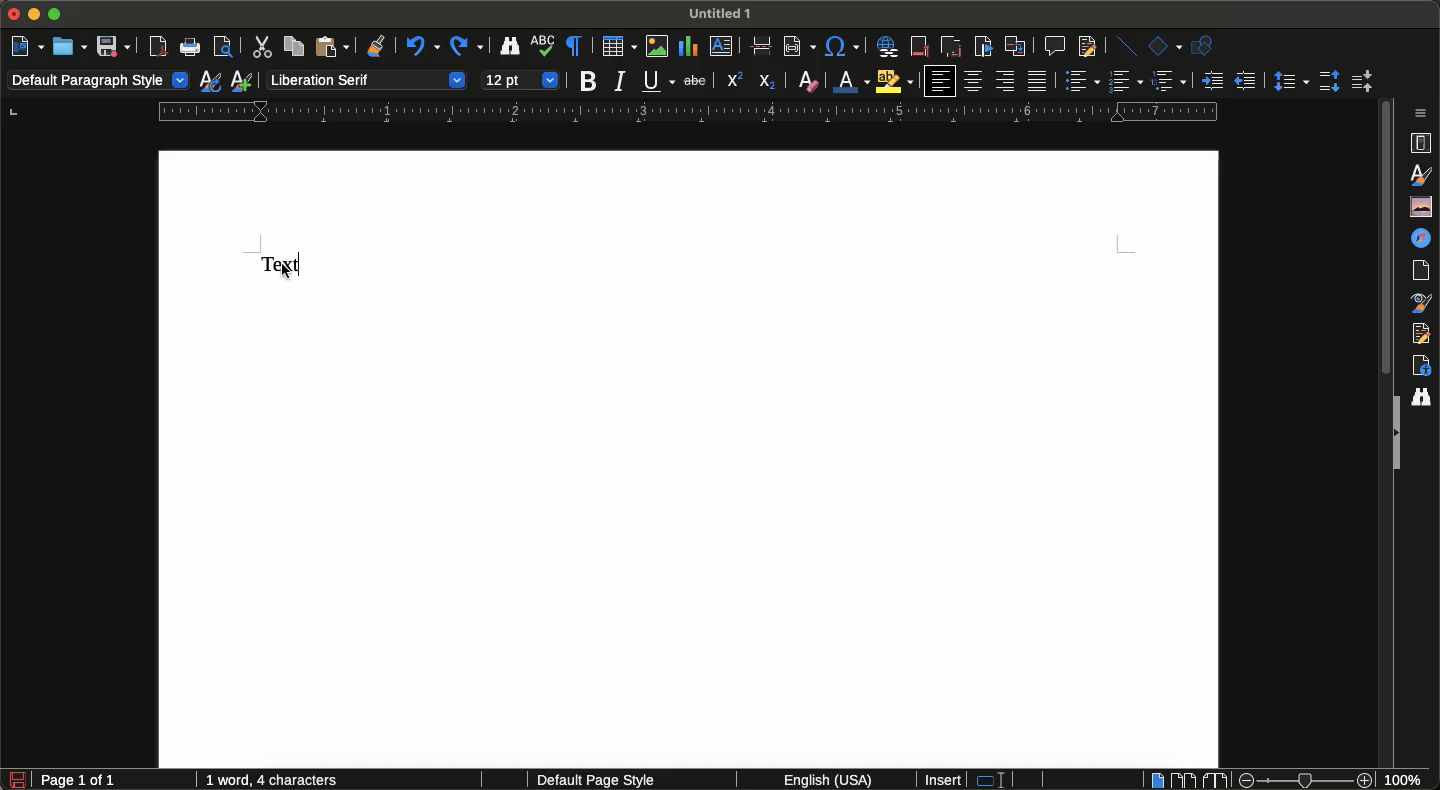  What do you see at coordinates (1425, 333) in the screenshot?
I see `Manage changes` at bounding box center [1425, 333].